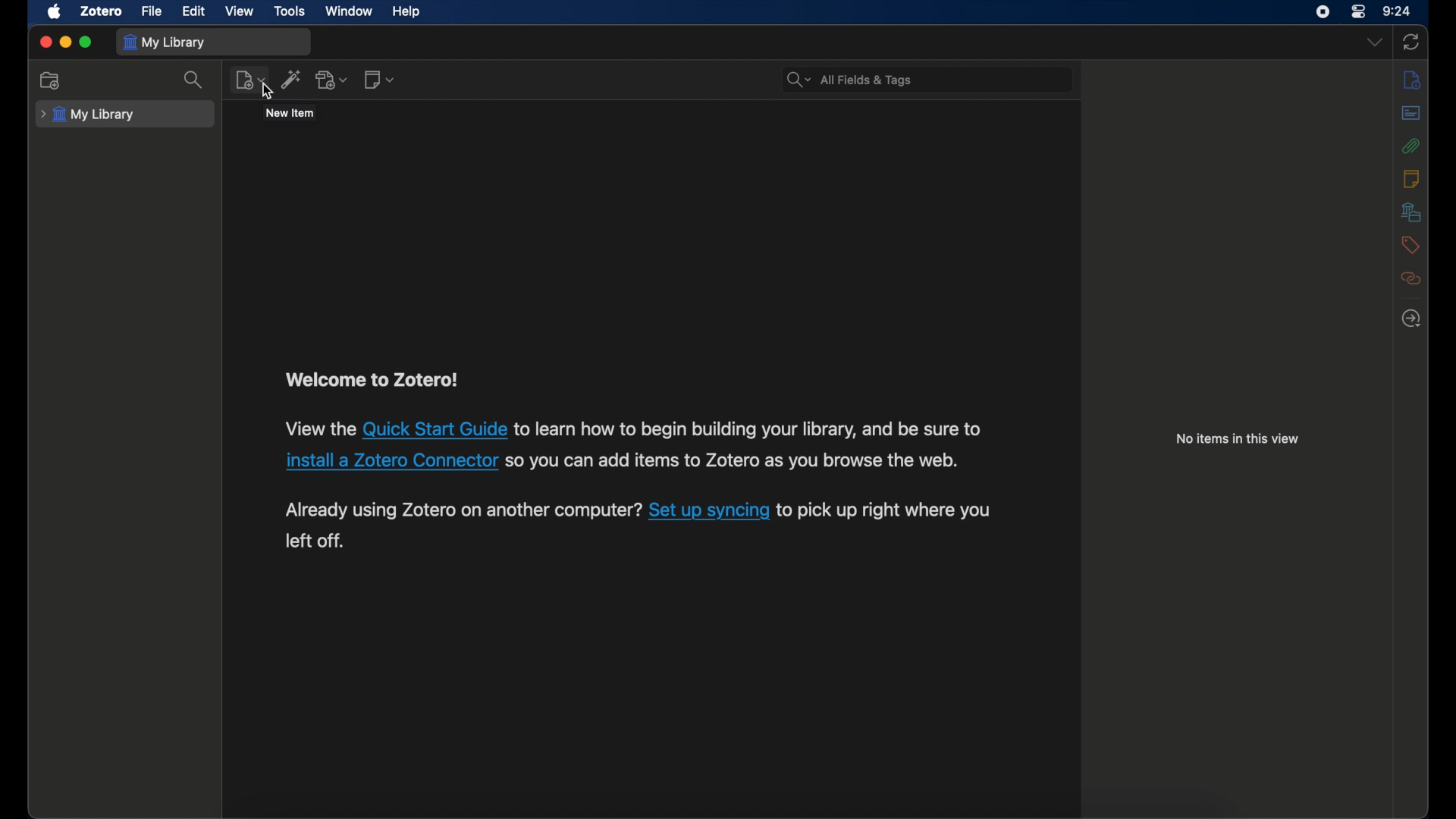  What do you see at coordinates (1412, 146) in the screenshot?
I see `attachments` at bounding box center [1412, 146].